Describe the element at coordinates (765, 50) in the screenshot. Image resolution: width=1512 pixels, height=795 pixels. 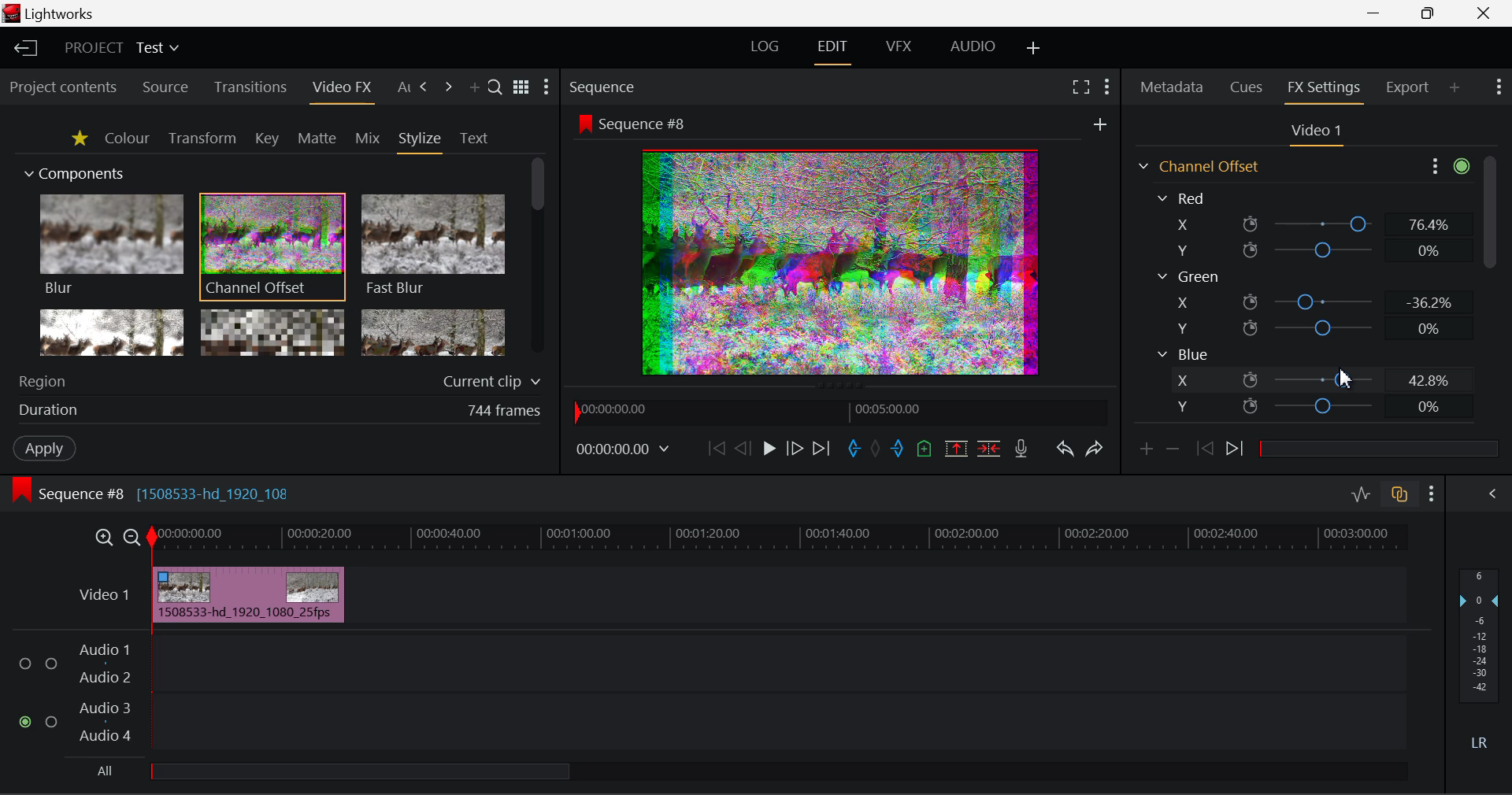
I see `LOG Layout` at that location.